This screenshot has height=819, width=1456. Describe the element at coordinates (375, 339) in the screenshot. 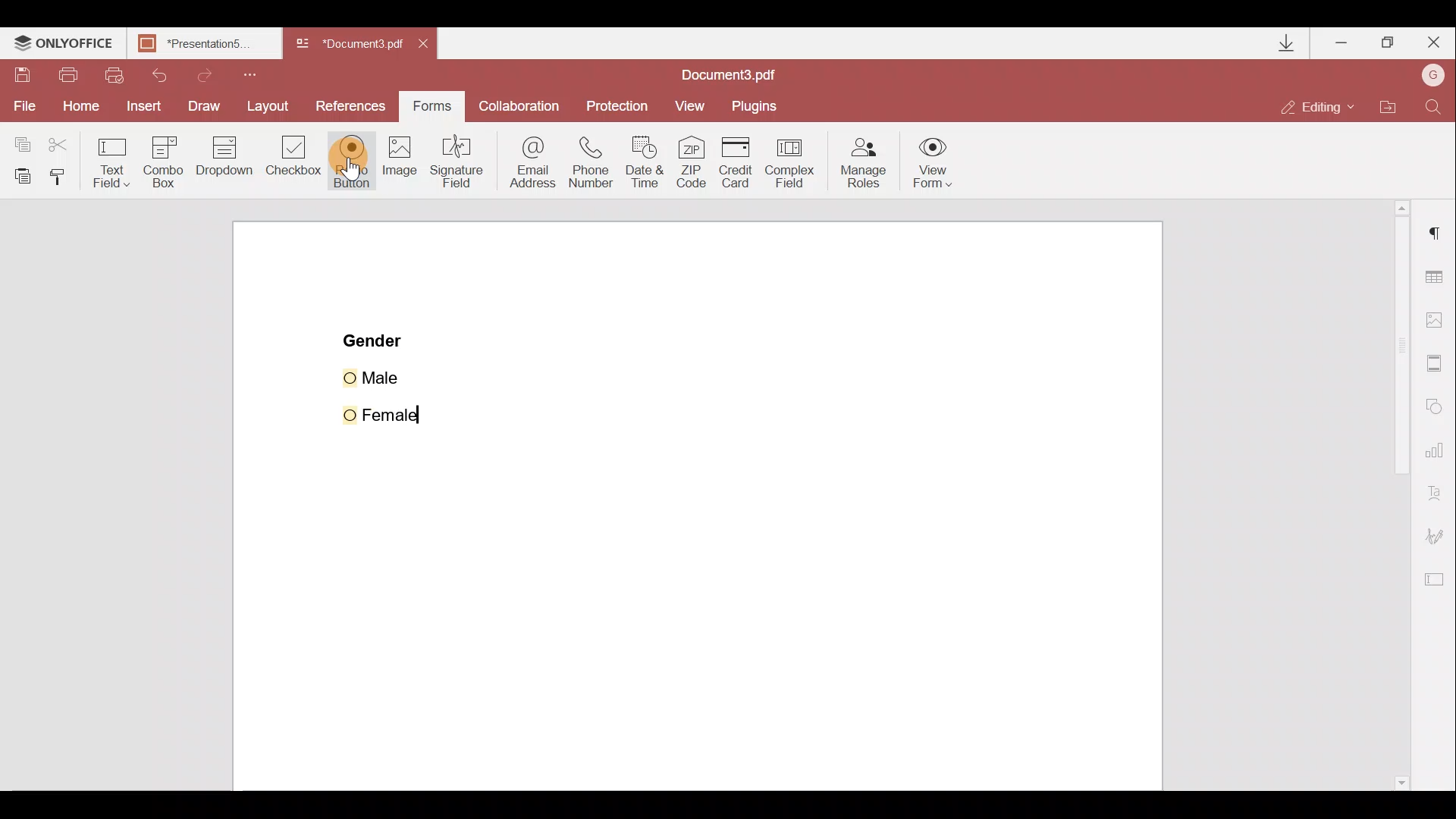

I see `Gender` at that location.